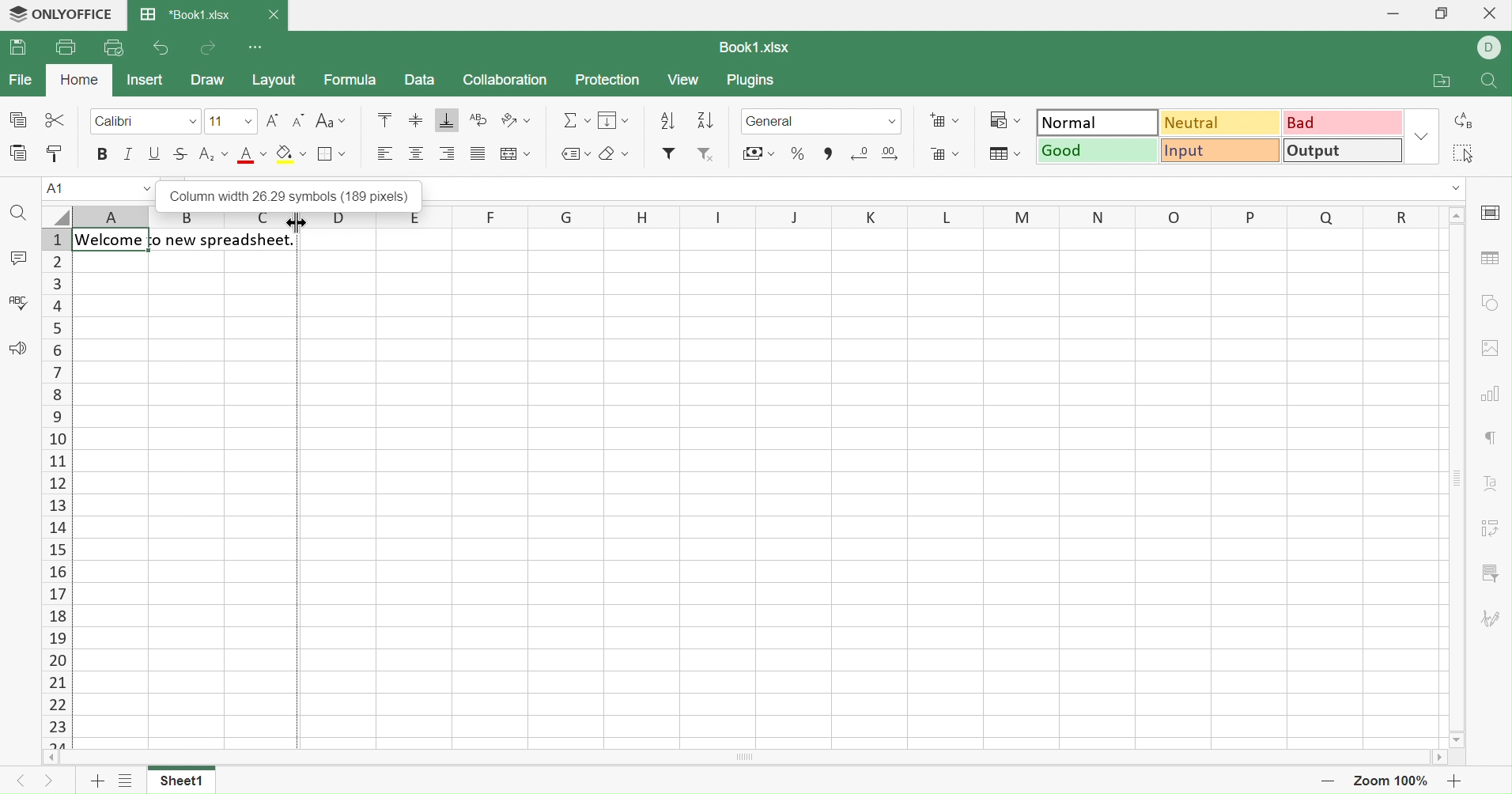  What do you see at coordinates (350, 81) in the screenshot?
I see `Formula` at bounding box center [350, 81].